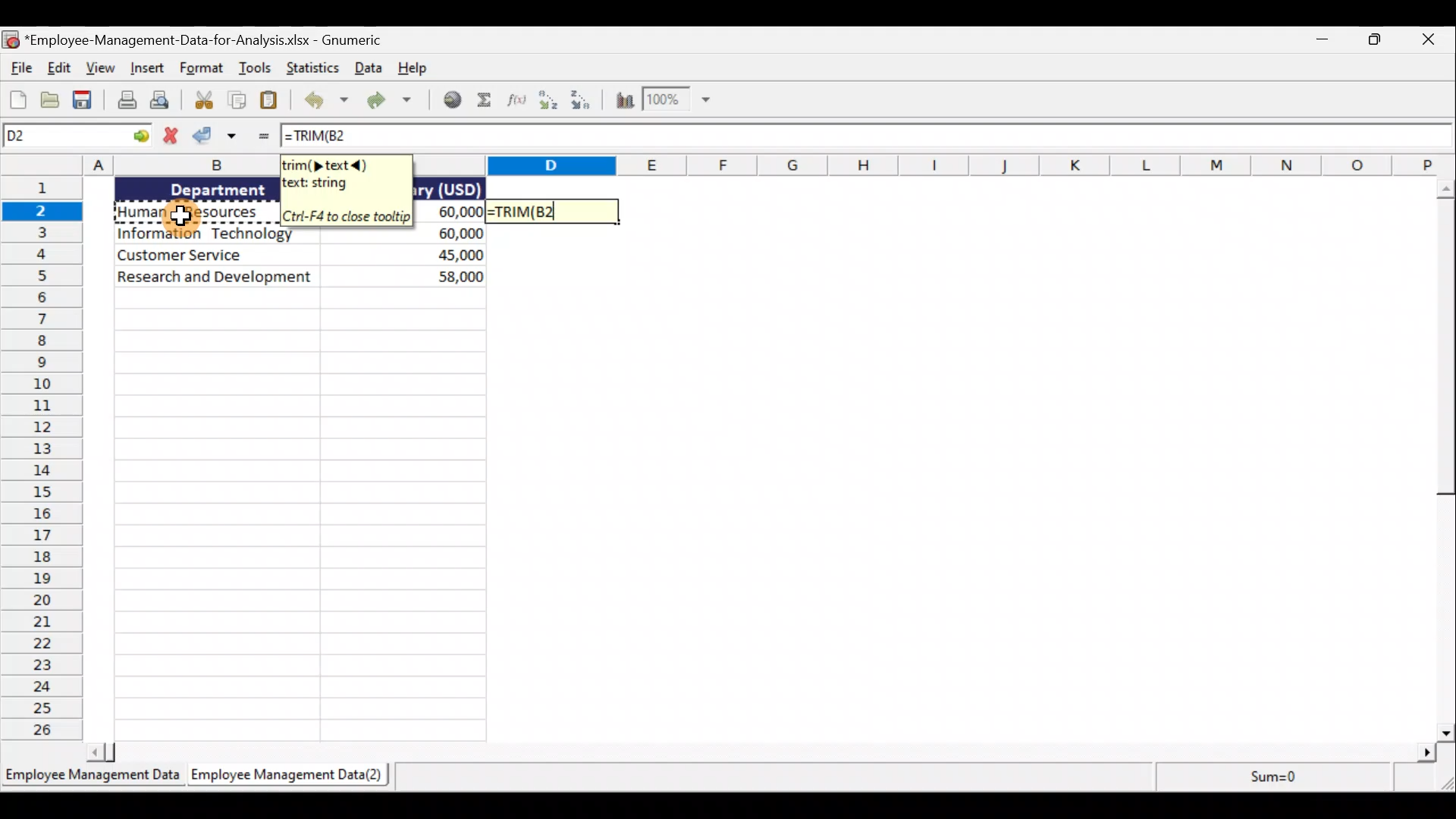 The height and width of the screenshot is (819, 1456). What do you see at coordinates (586, 101) in the screenshot?
I see `Sort descending` at bounding box center [586, 101].